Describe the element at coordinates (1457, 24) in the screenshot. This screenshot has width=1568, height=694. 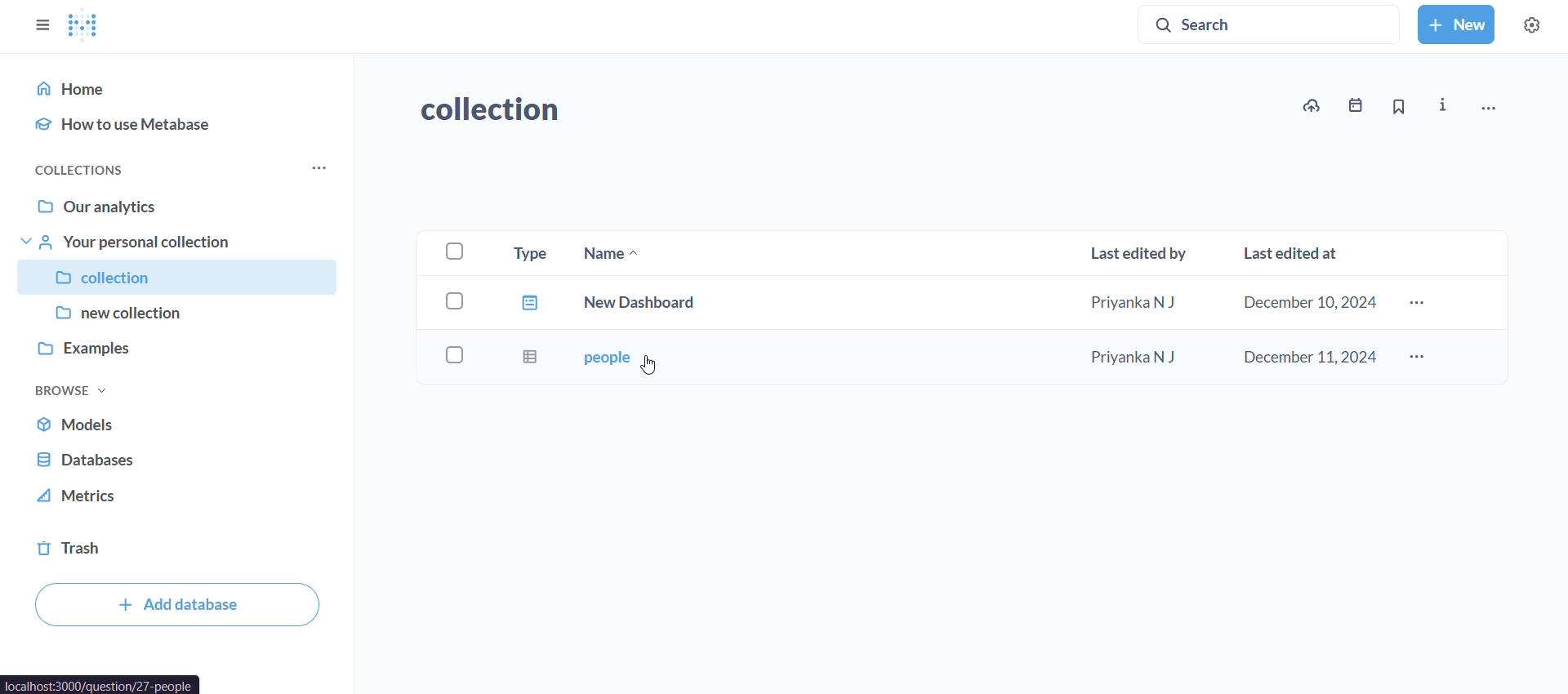
I see `new` at that location.